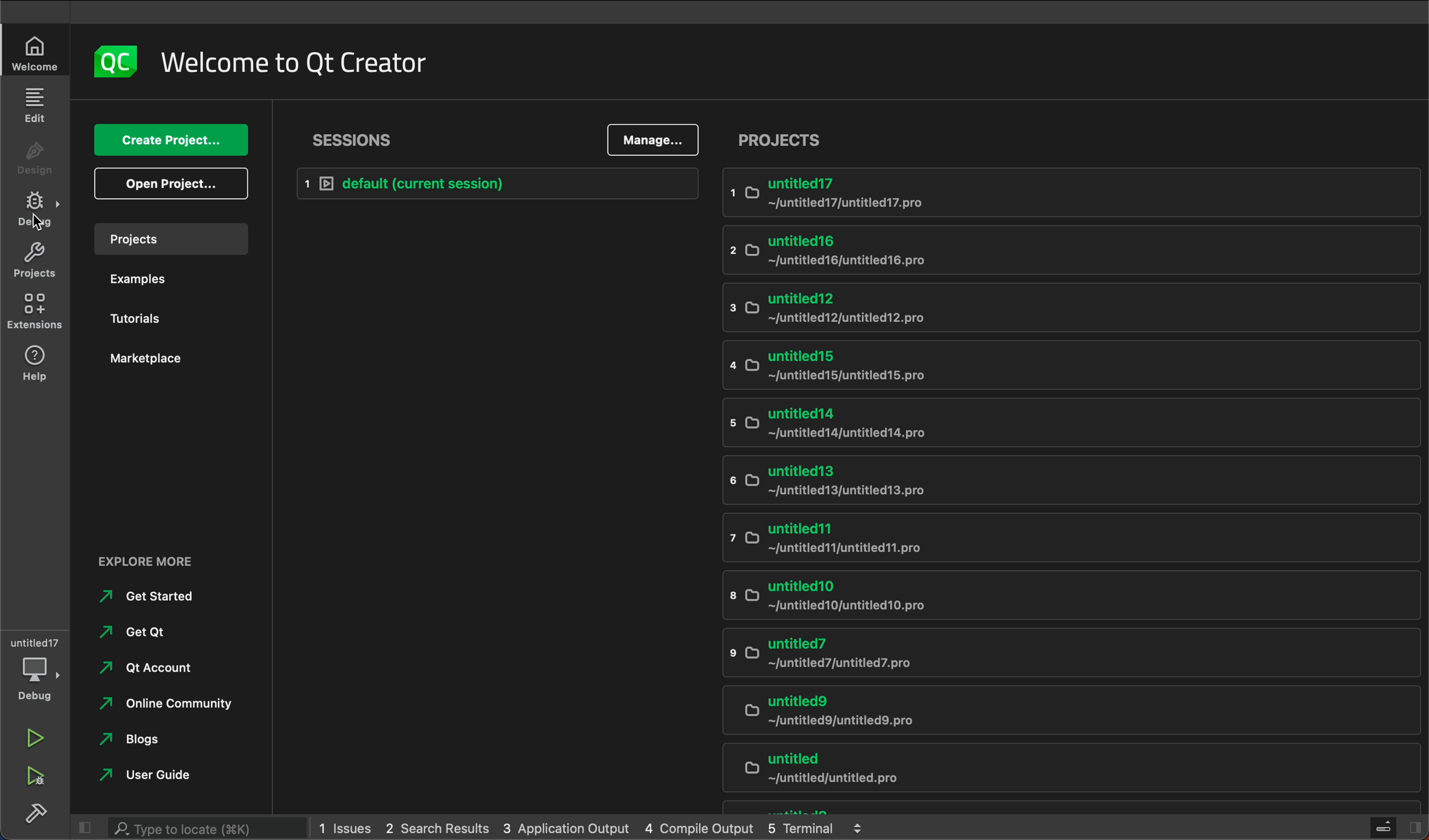  I want to click on User Guide, so click(144, 773).